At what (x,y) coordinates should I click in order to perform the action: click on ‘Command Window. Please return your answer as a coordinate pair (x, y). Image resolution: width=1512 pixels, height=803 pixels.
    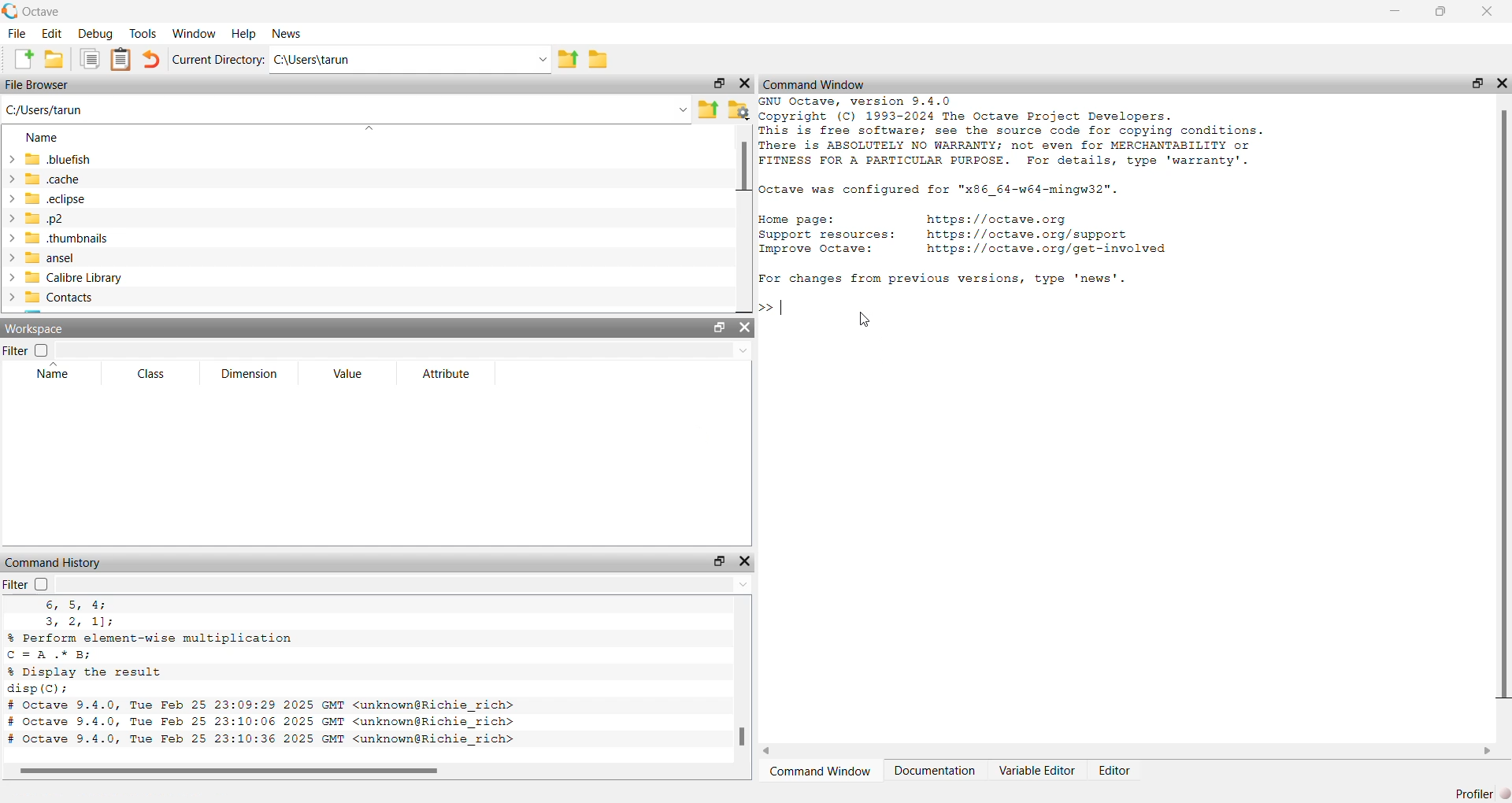
    Looking at the image, I should click on (821, 772).